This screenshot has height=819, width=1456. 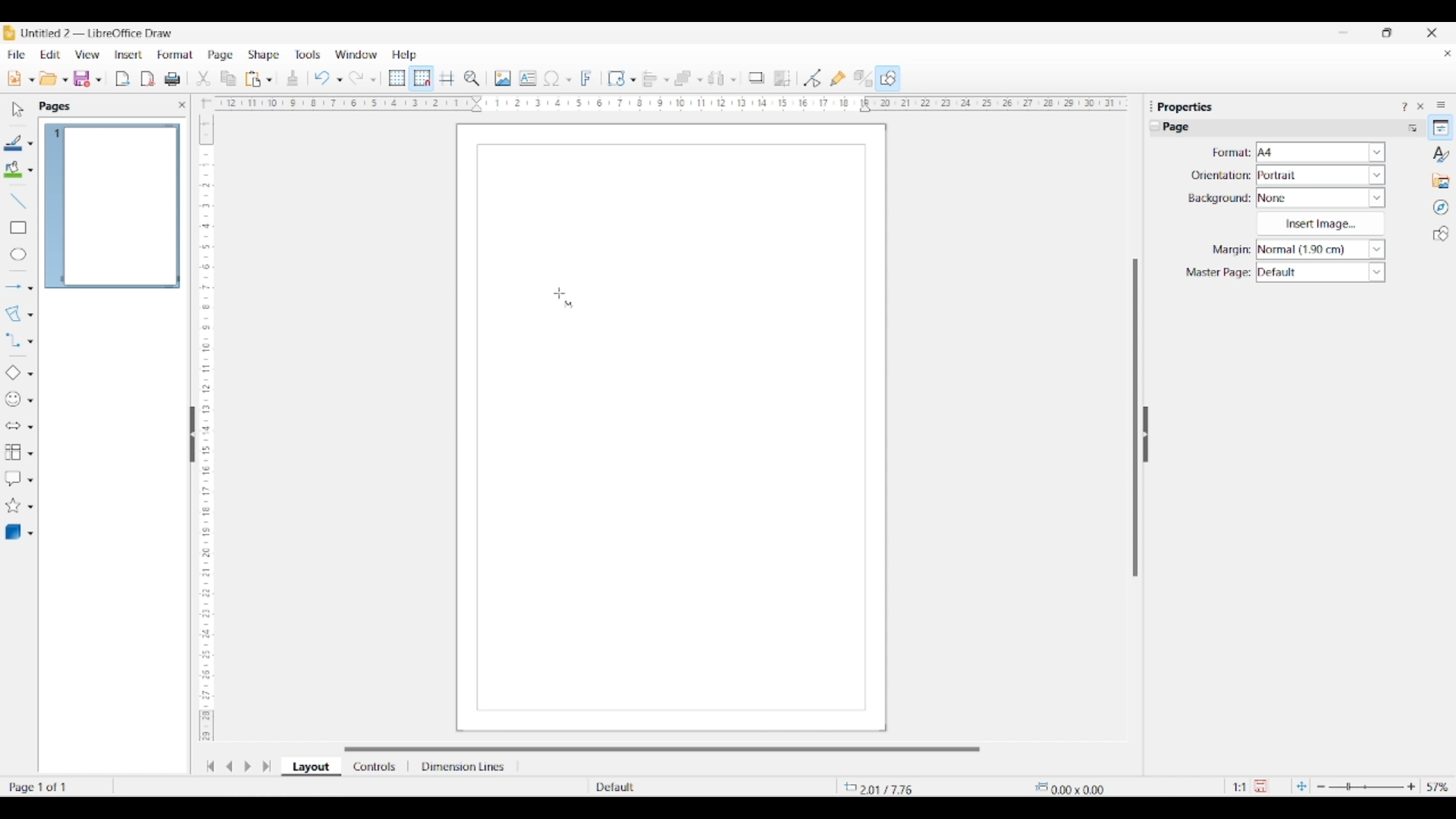 What do you see at coordinates (397, 79) in the screenshot?
I see `Display grid` at bounding box center [397, 79].